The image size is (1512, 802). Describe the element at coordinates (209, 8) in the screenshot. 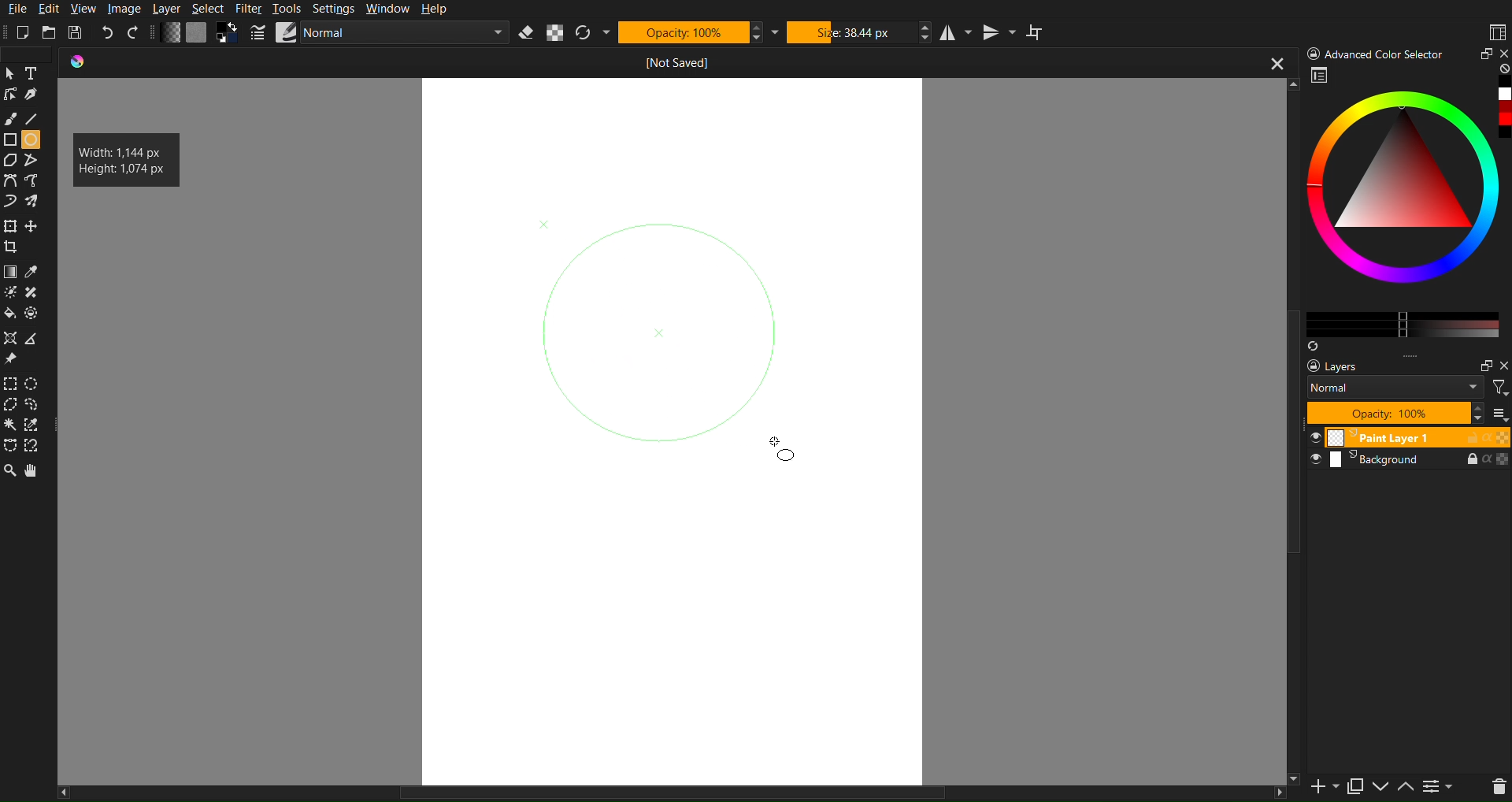

I see `Select` at that location.